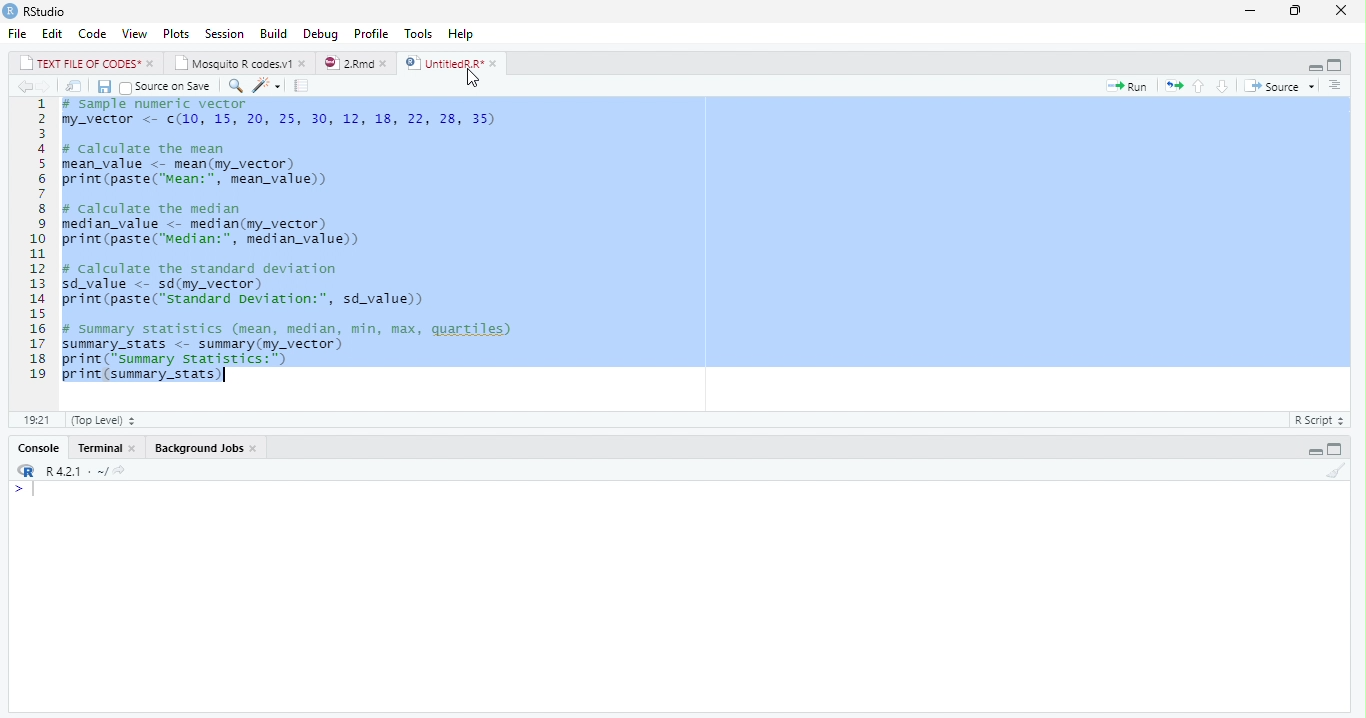 This screenshot has height=718, width=1366. I want to click on R 4.2.1 . ~/, so click(86, 472).